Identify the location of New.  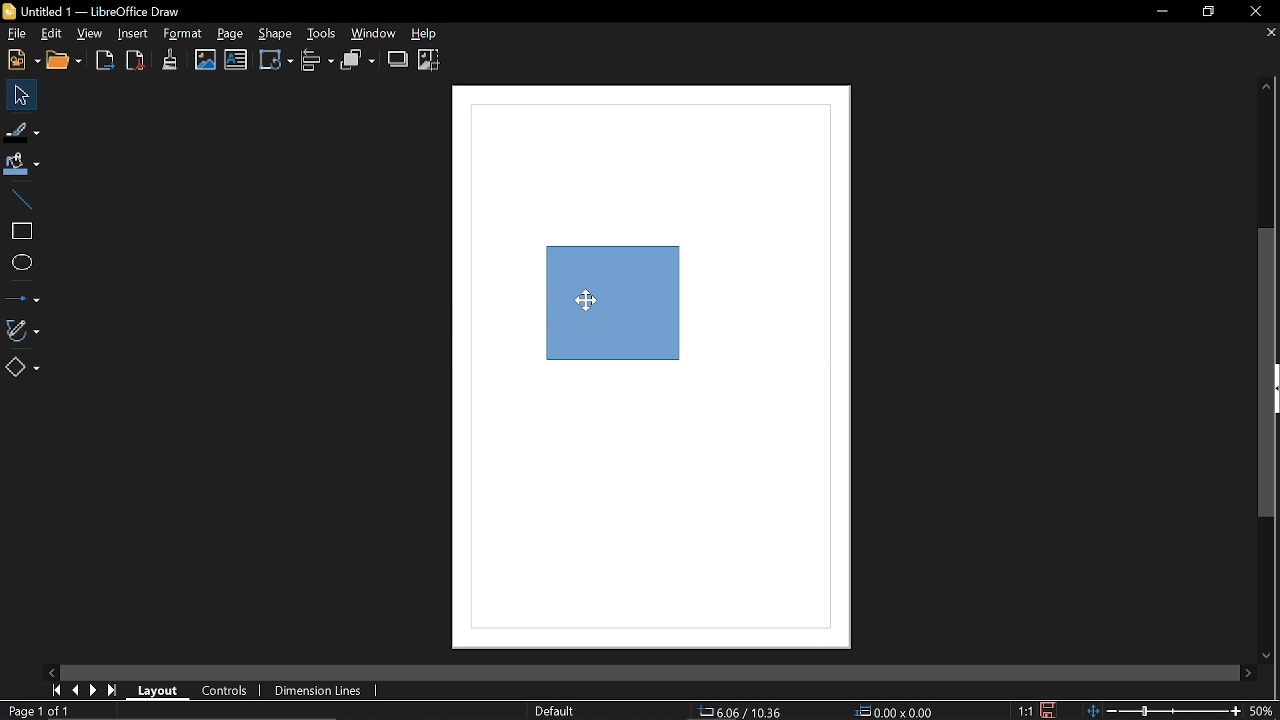
(20, 60).